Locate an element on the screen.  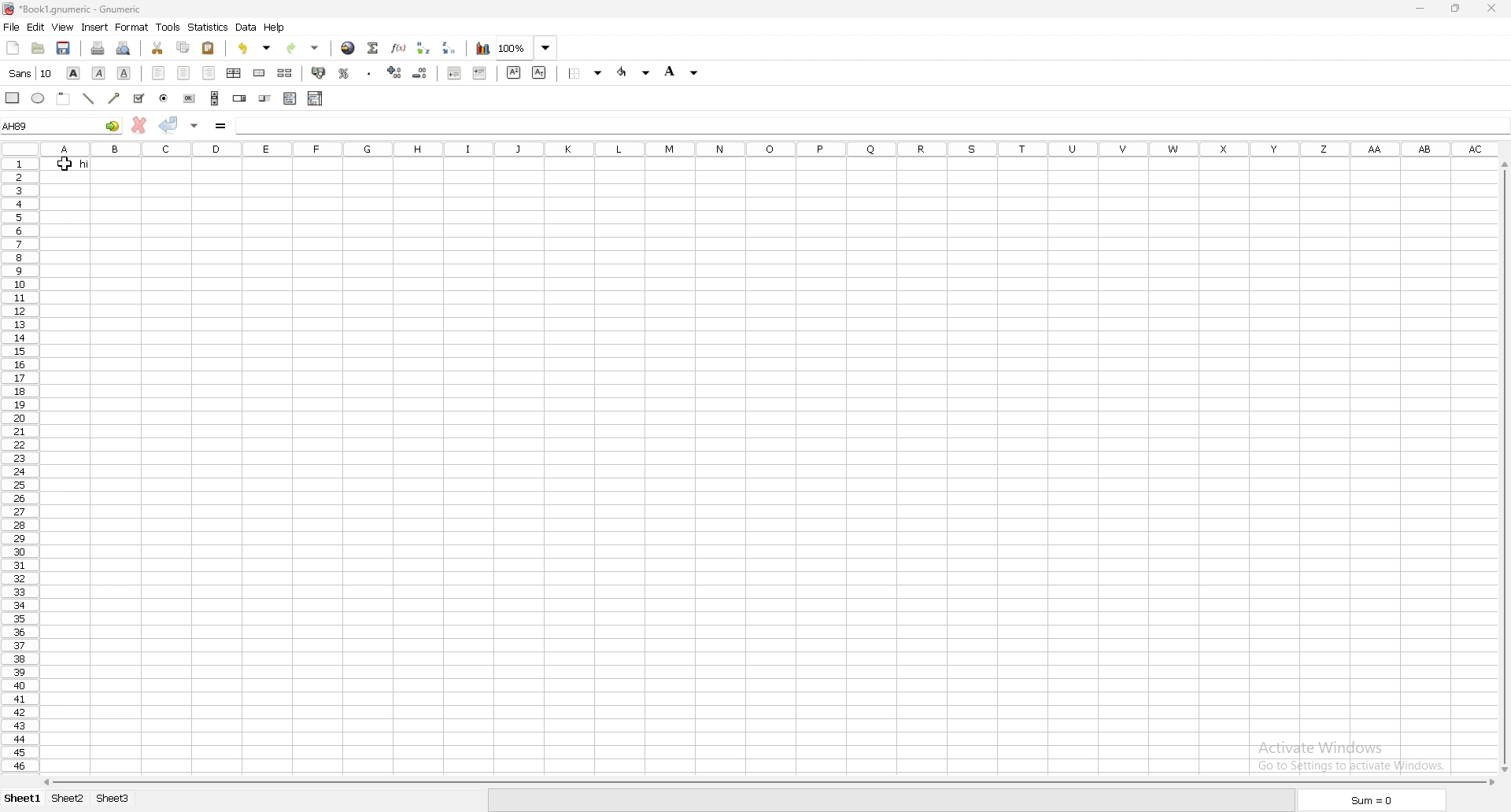
rectangle is located at coordinates (13, 98).